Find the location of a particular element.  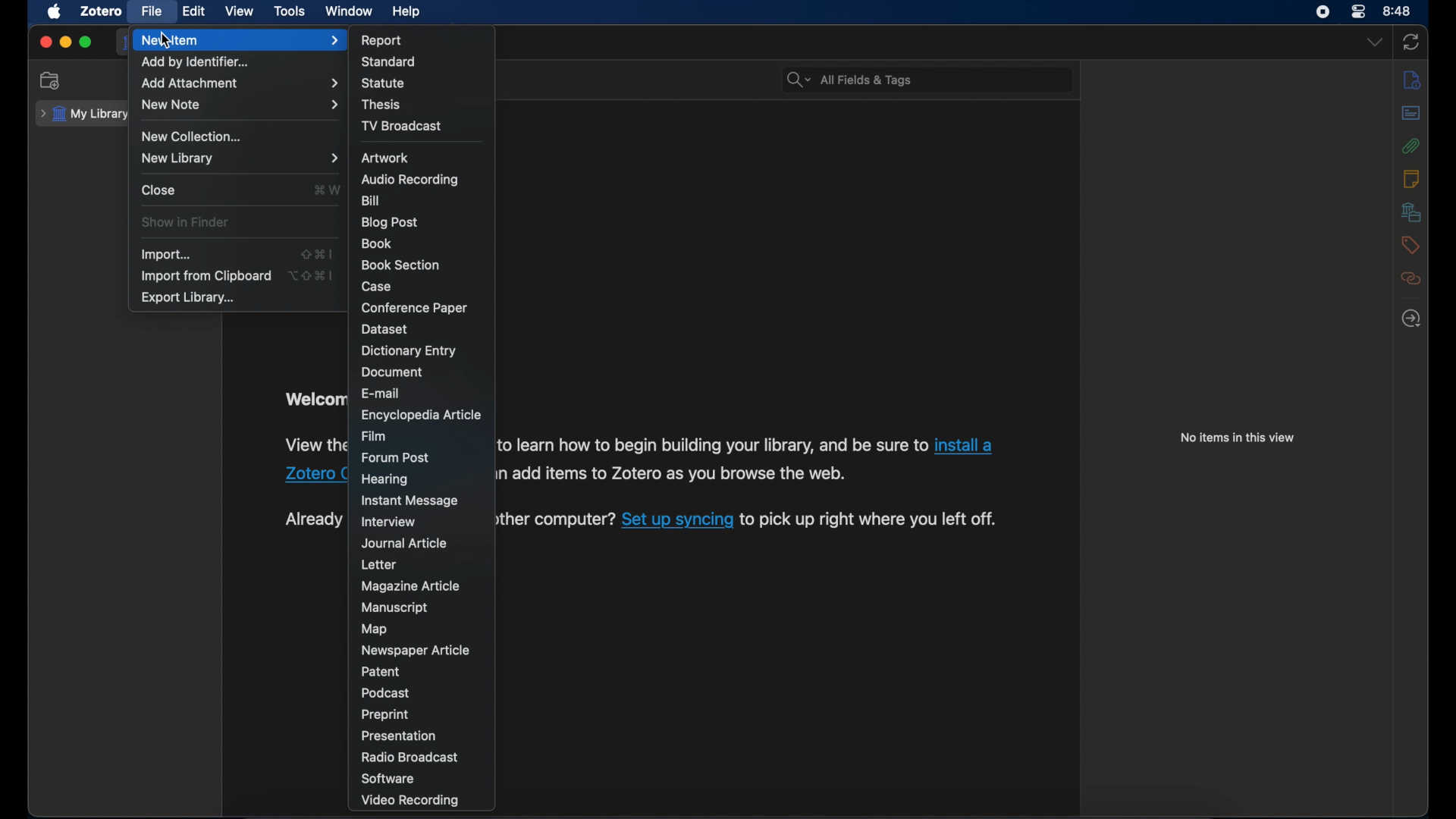

blog post is located at coordinates (391, 222).